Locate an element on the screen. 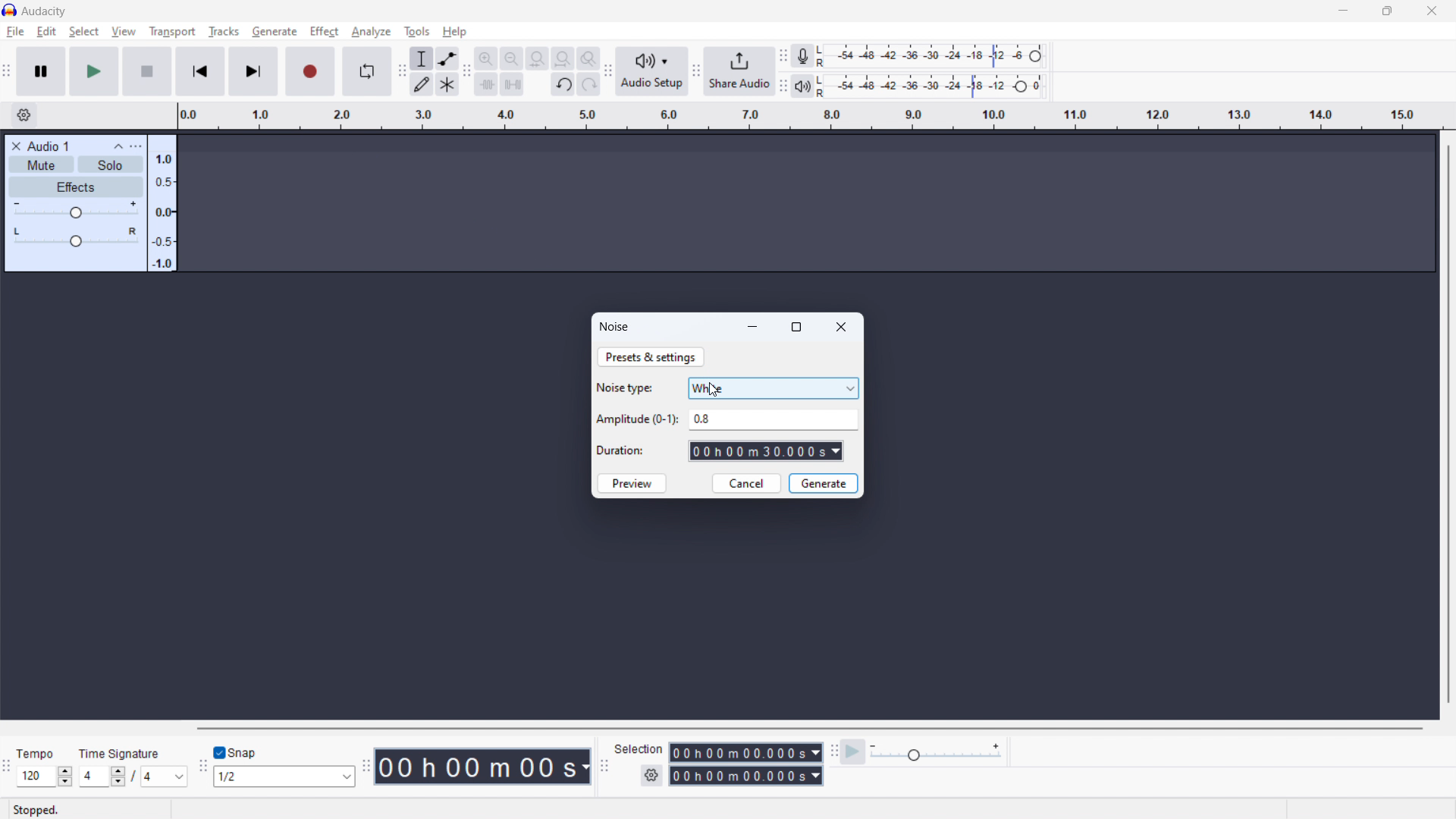 This screenshot has height=819, width=1456. start time is located at coordinates (746, 752).